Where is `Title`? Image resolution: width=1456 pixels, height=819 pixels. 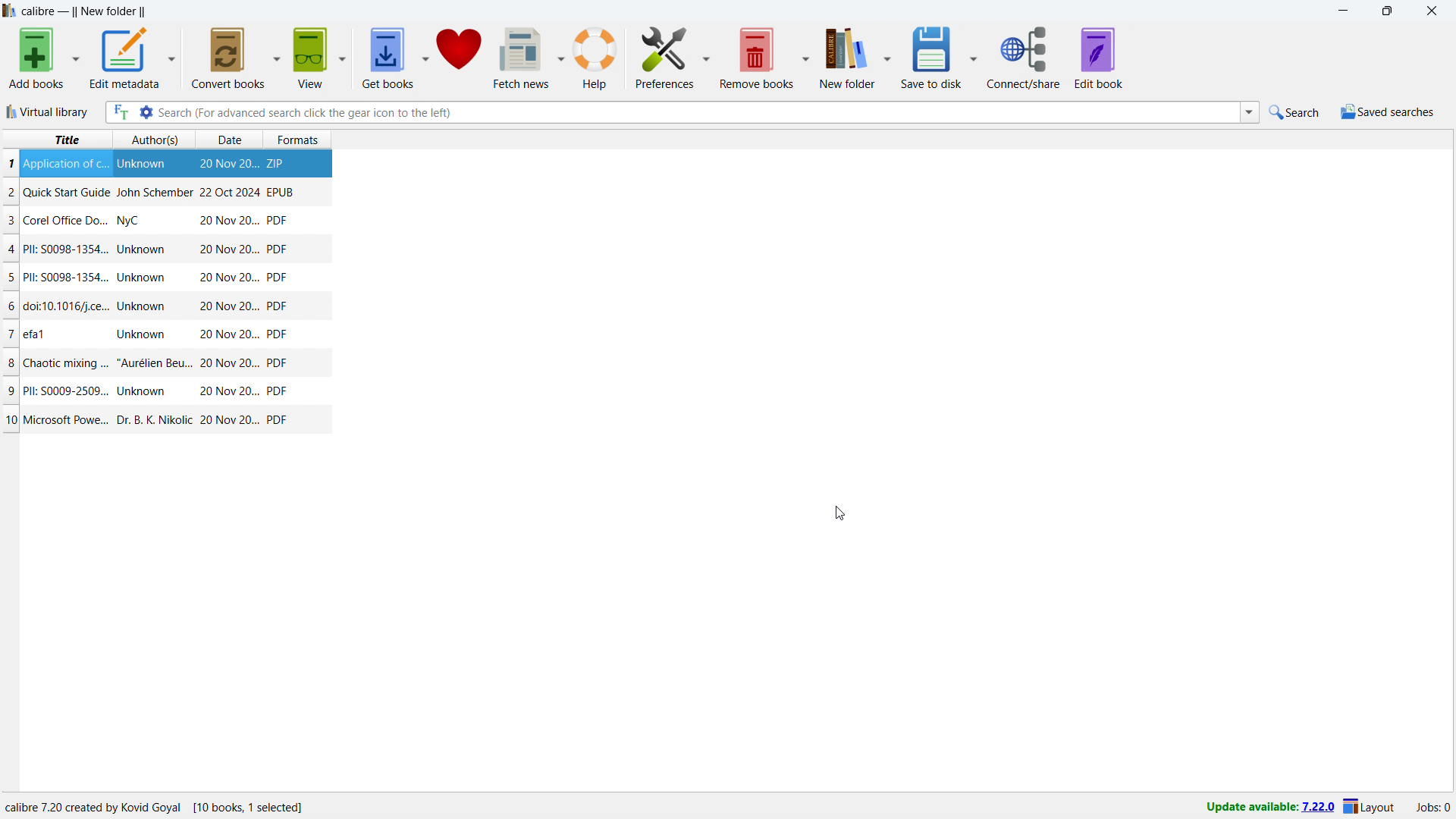
Title is located at coordinates (68, 307).